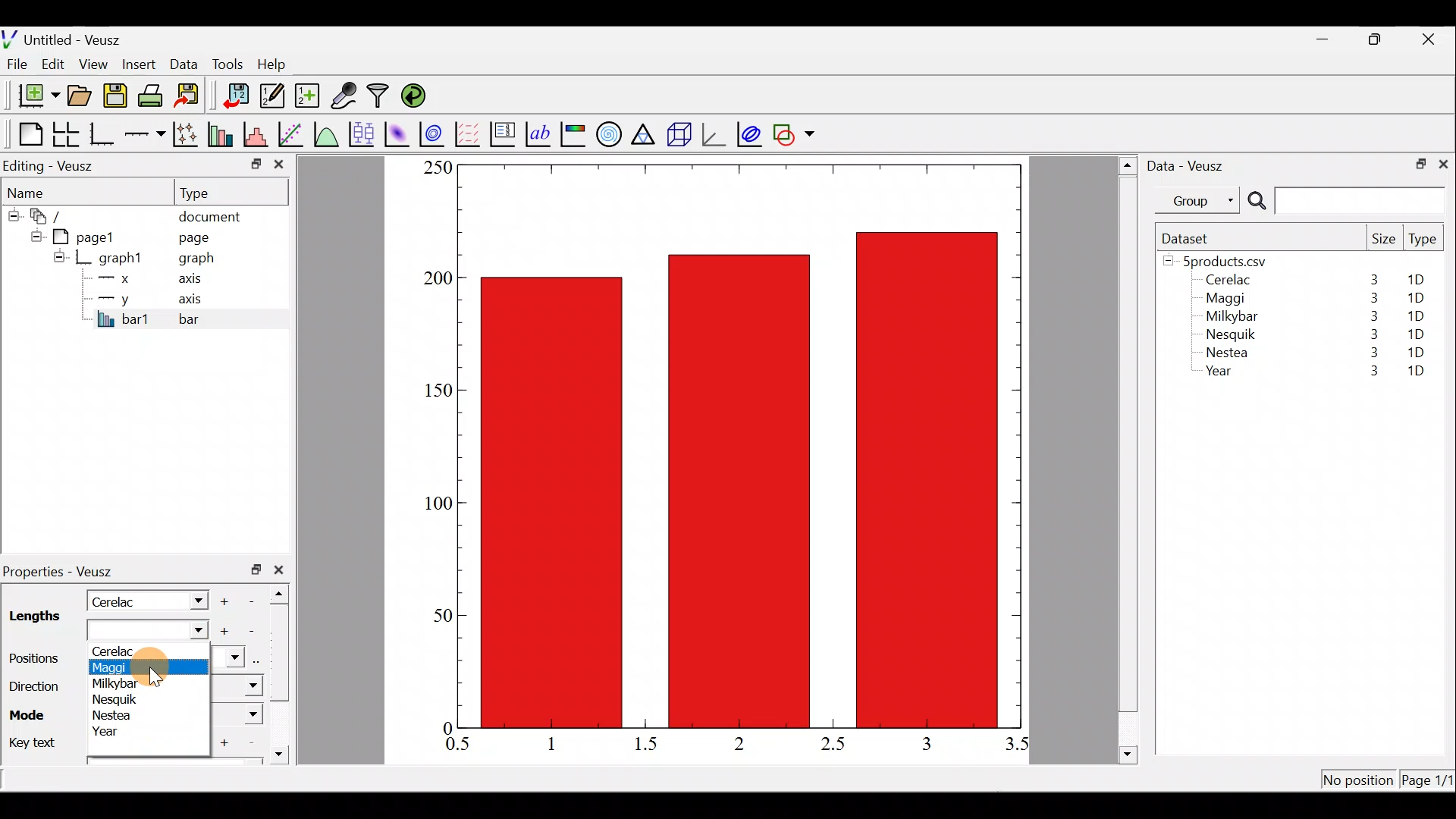 This screenshot has height=819, width=1456. I want to click on graph1, so click(121, 259).